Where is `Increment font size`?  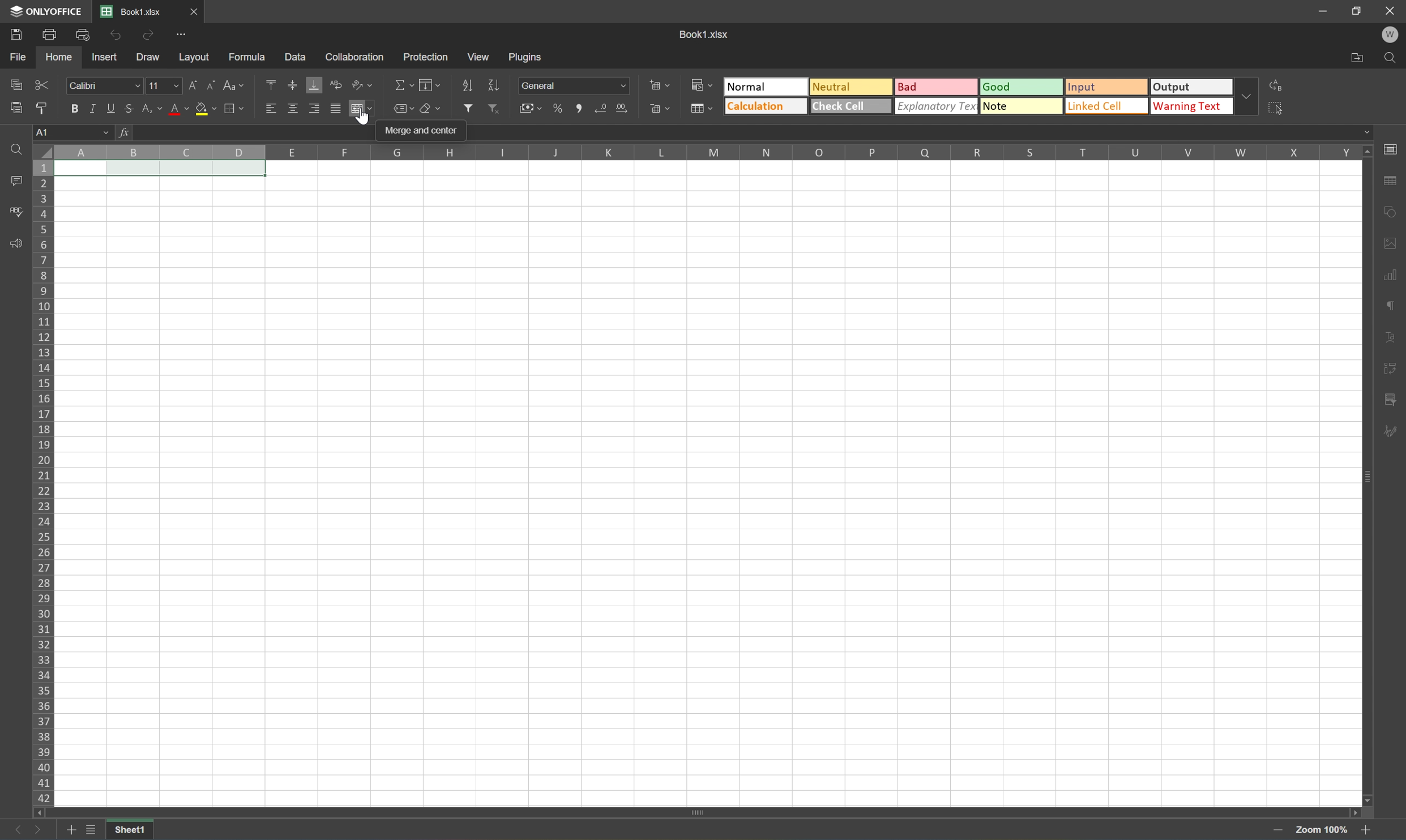
Increment font size is located at coordinates (193, 87).